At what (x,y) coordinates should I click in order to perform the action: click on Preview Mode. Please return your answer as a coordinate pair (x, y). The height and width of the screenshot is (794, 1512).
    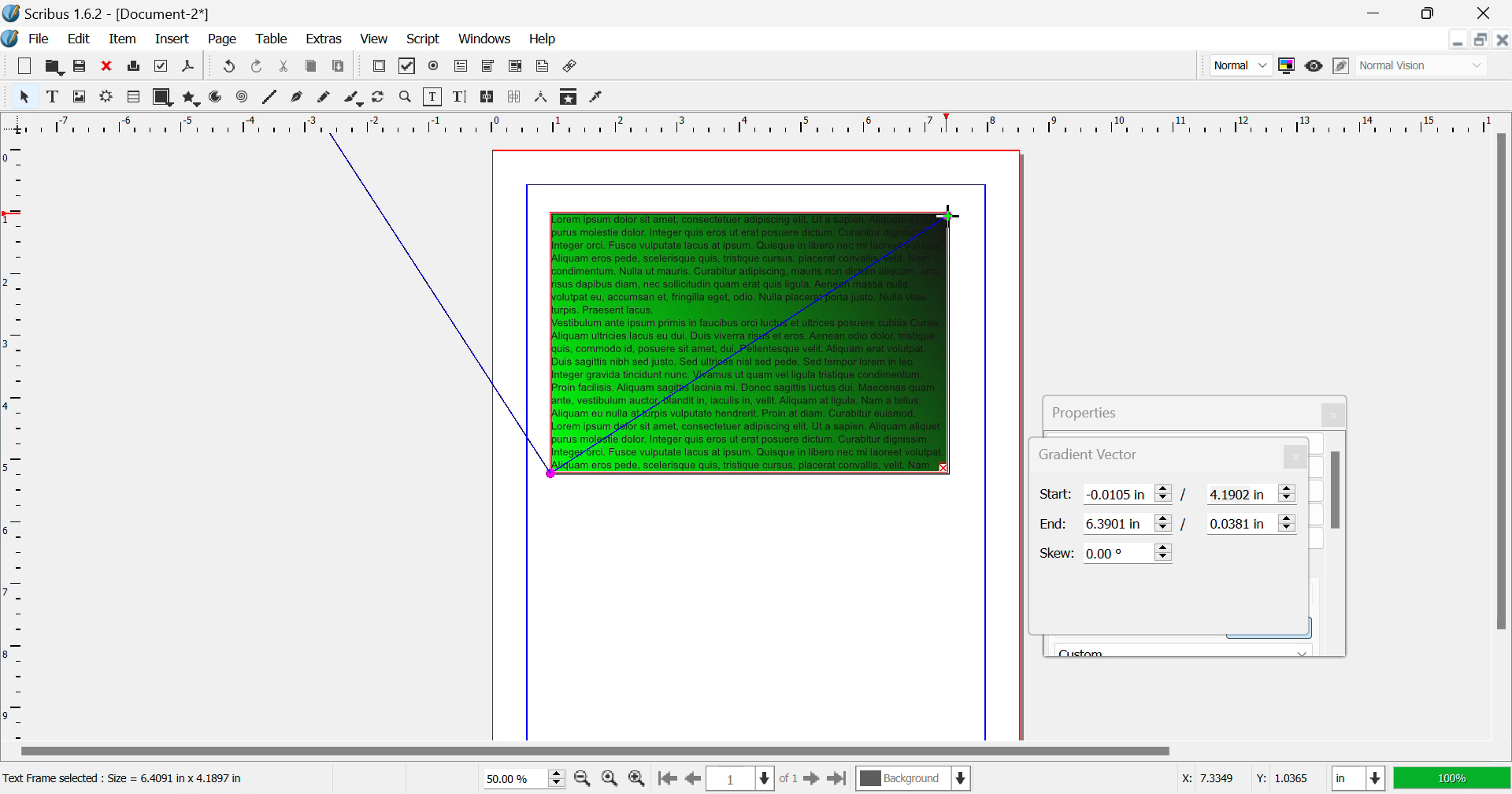
    Looking at the image, I should click on (1240, 65).